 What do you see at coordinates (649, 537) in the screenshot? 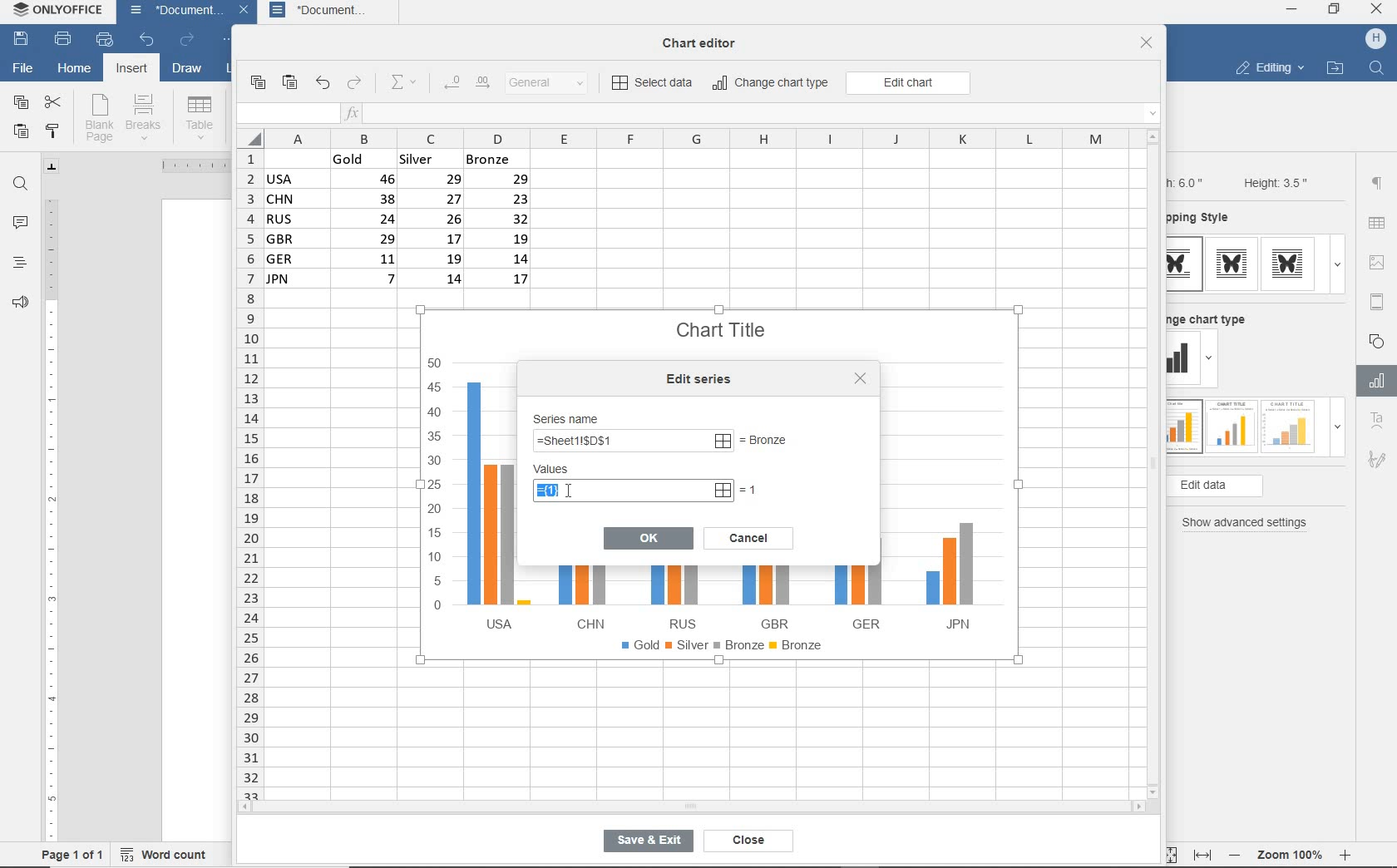
I see `ok` at bounding box center [649, 537].